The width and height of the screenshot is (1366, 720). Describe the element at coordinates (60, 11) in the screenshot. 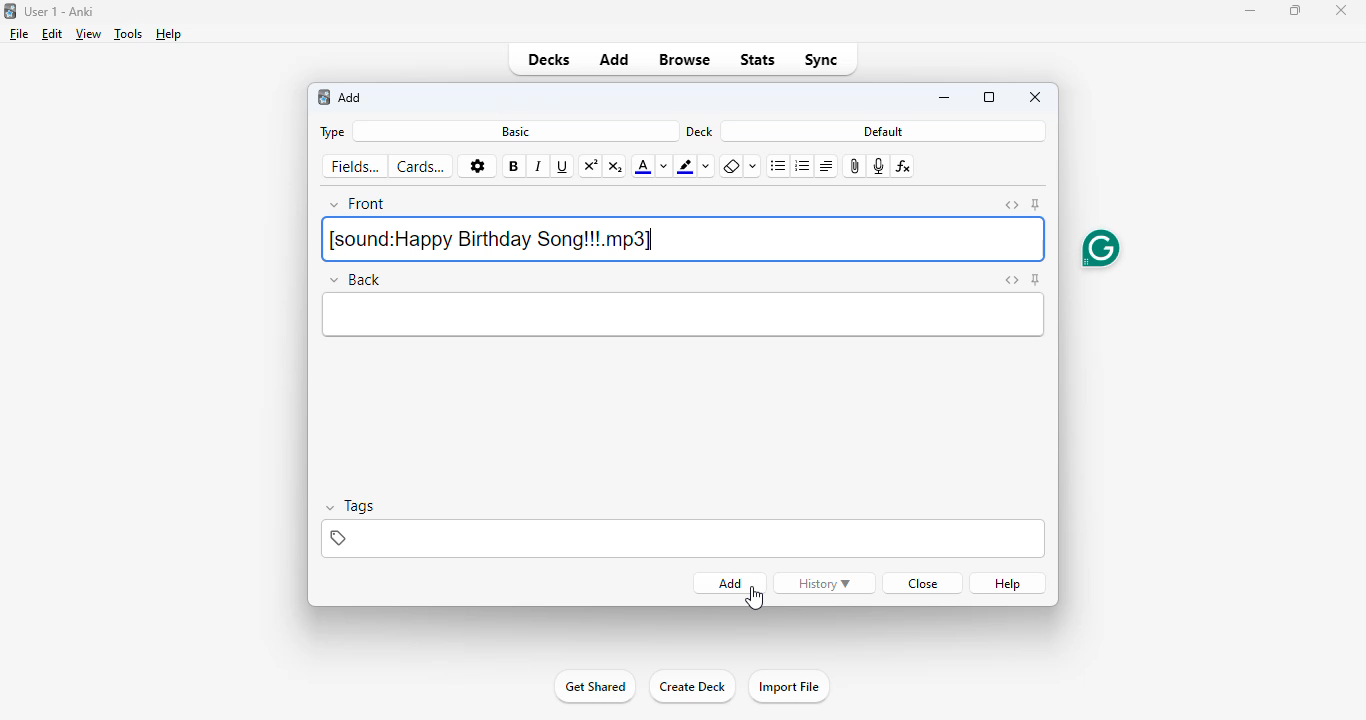

I see `title` at that location.